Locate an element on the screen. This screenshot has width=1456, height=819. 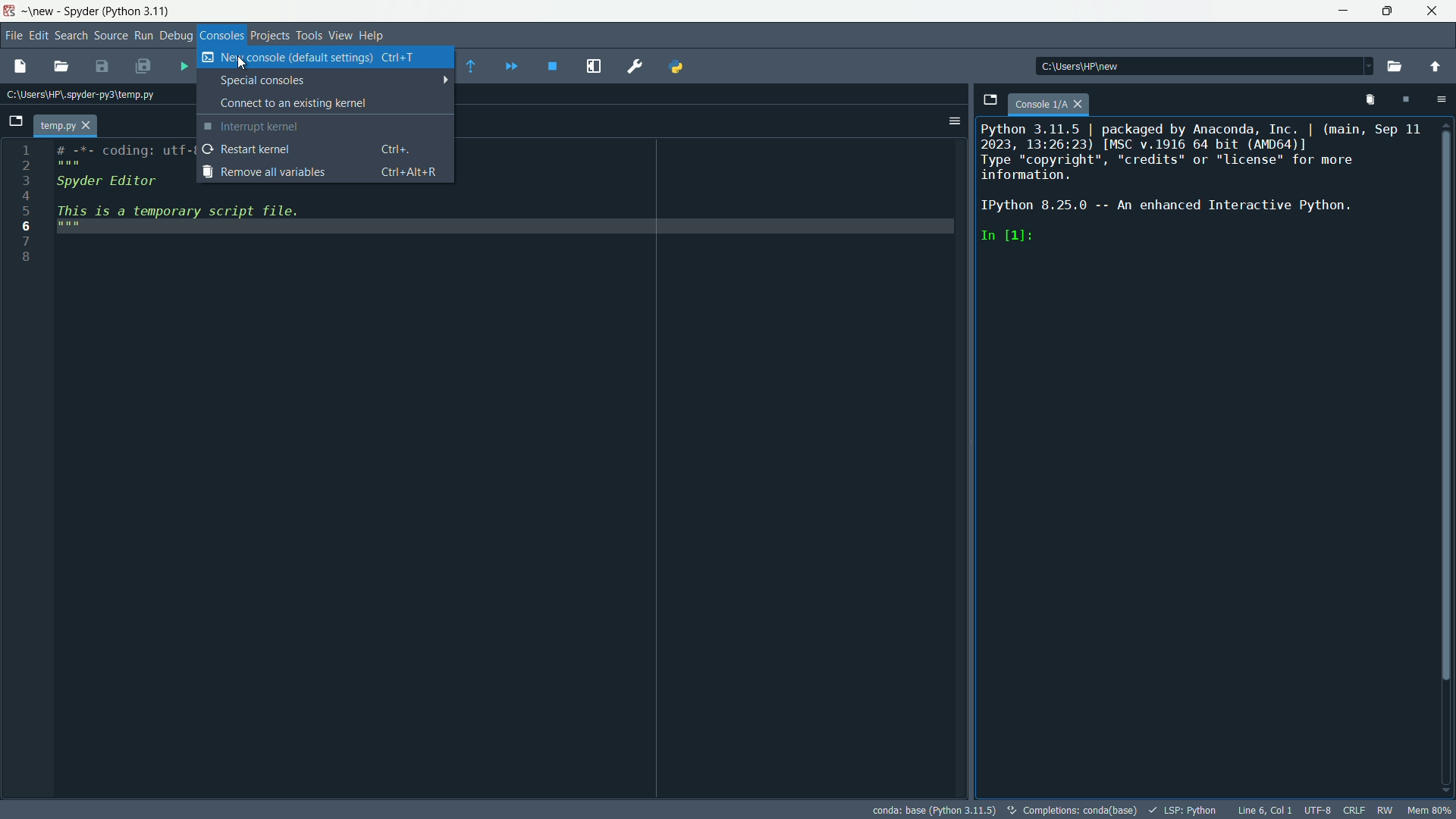
lsp:python is located at coordinates (1185, 809).